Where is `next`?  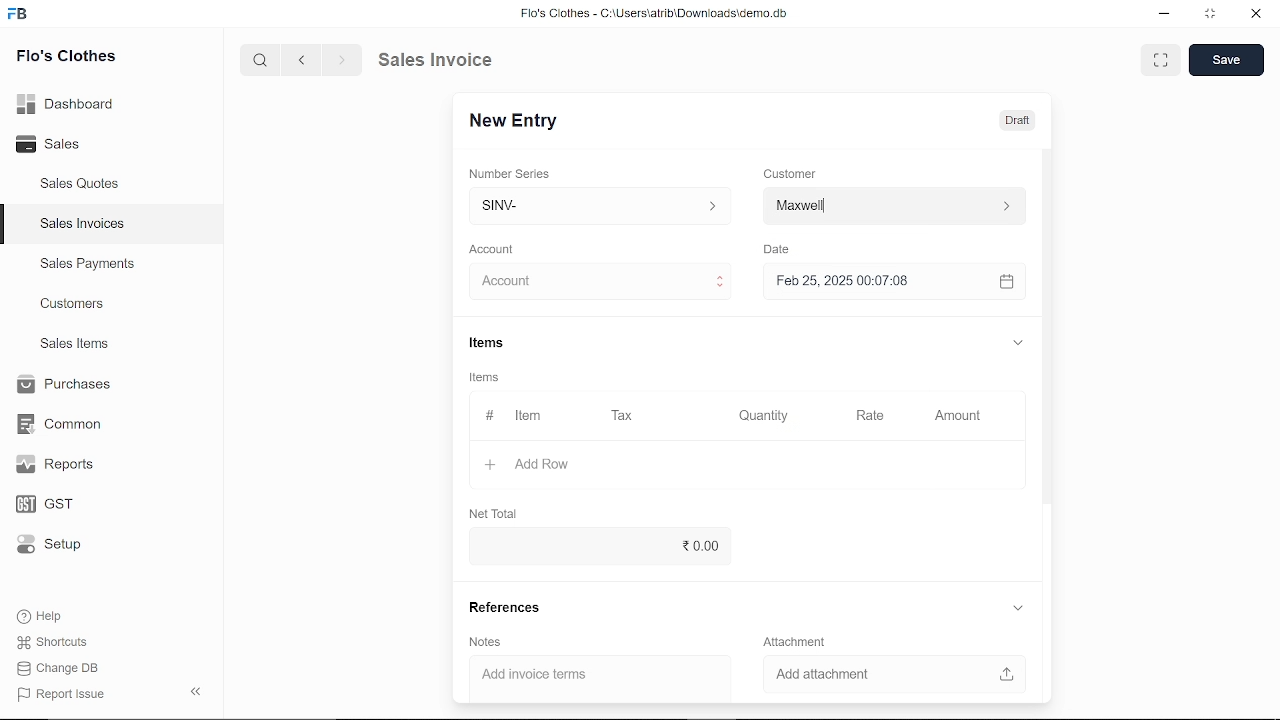 next is located at coordinates (342, 60).